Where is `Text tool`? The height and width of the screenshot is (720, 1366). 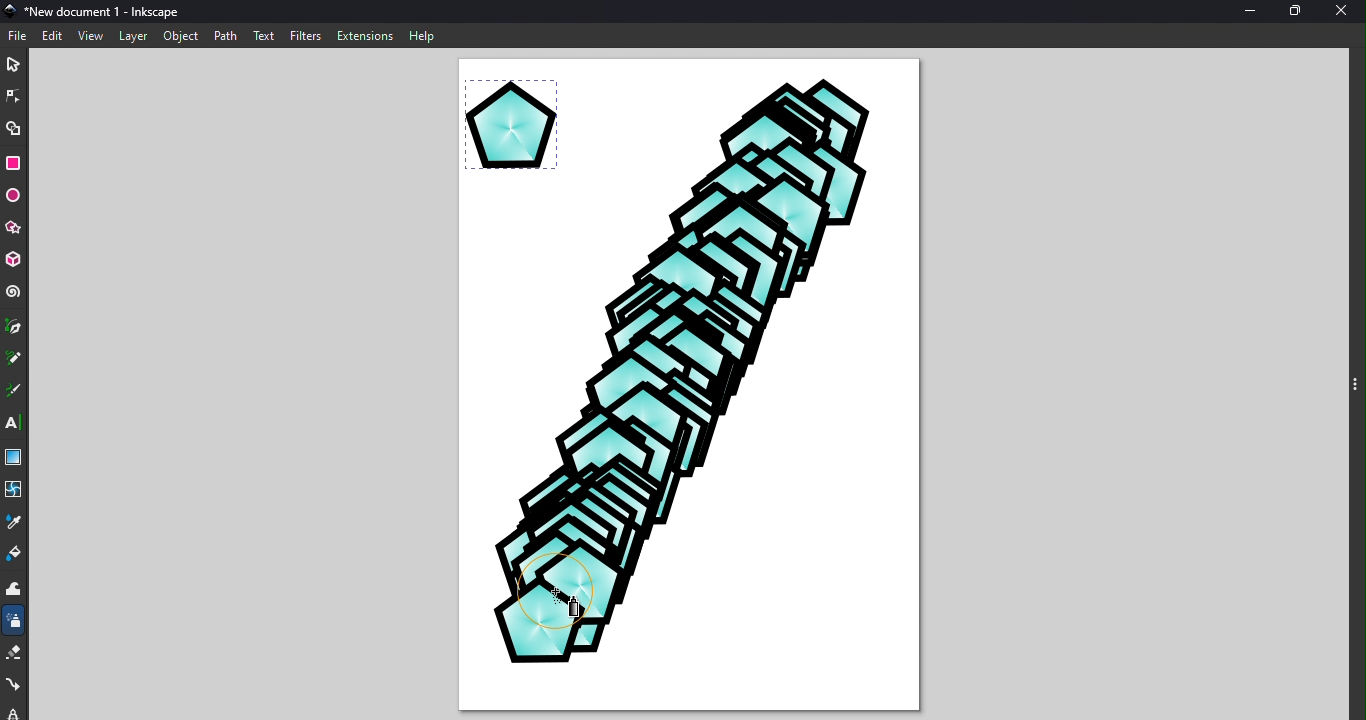 Text tool is located at coordinates (13, 423).